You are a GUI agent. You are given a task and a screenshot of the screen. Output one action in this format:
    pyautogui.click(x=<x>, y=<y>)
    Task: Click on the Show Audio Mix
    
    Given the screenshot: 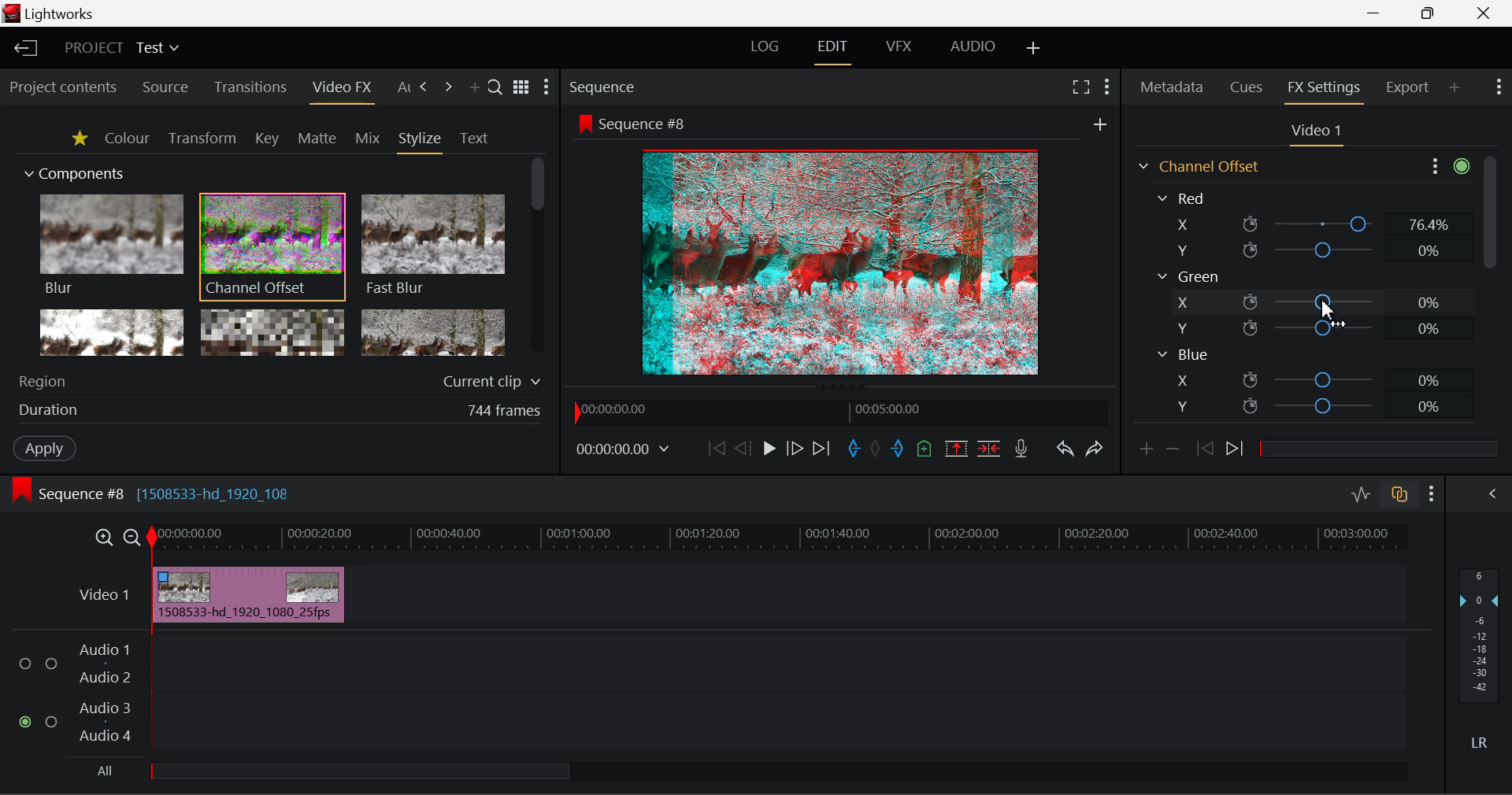 What is the action you would take?
    pyautogui.click(x=1484, y=494)
    